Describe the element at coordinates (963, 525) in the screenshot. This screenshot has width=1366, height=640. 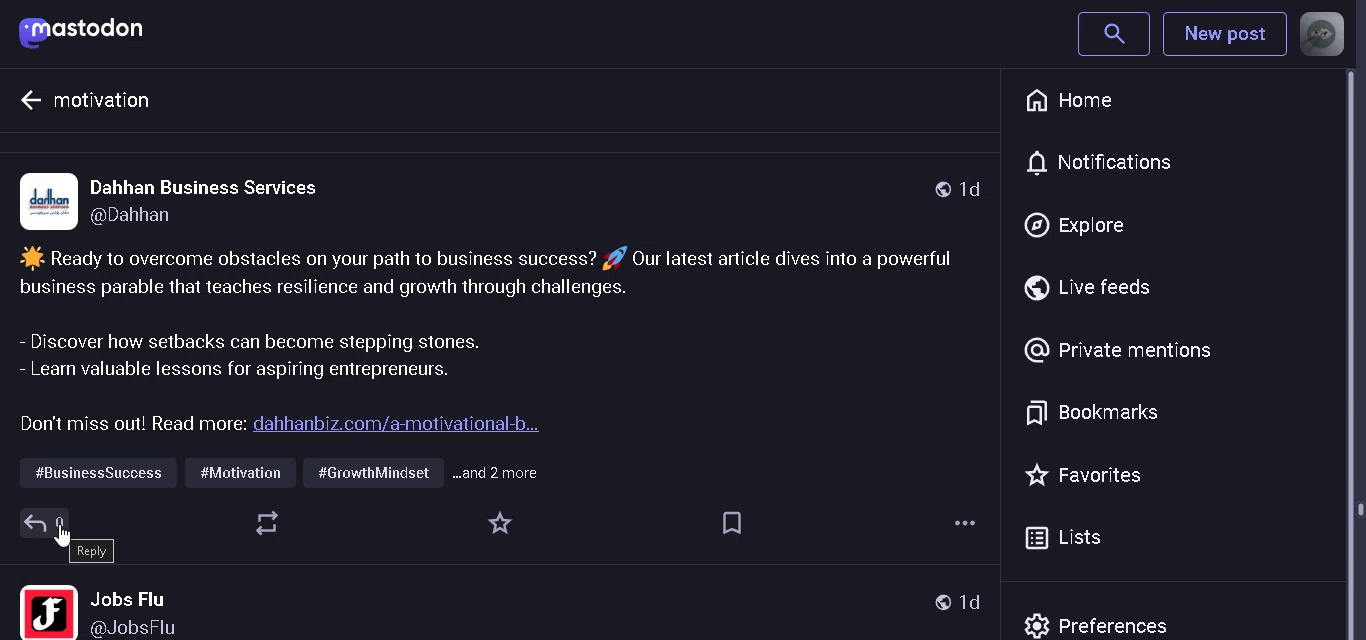
I see `more` at that location.